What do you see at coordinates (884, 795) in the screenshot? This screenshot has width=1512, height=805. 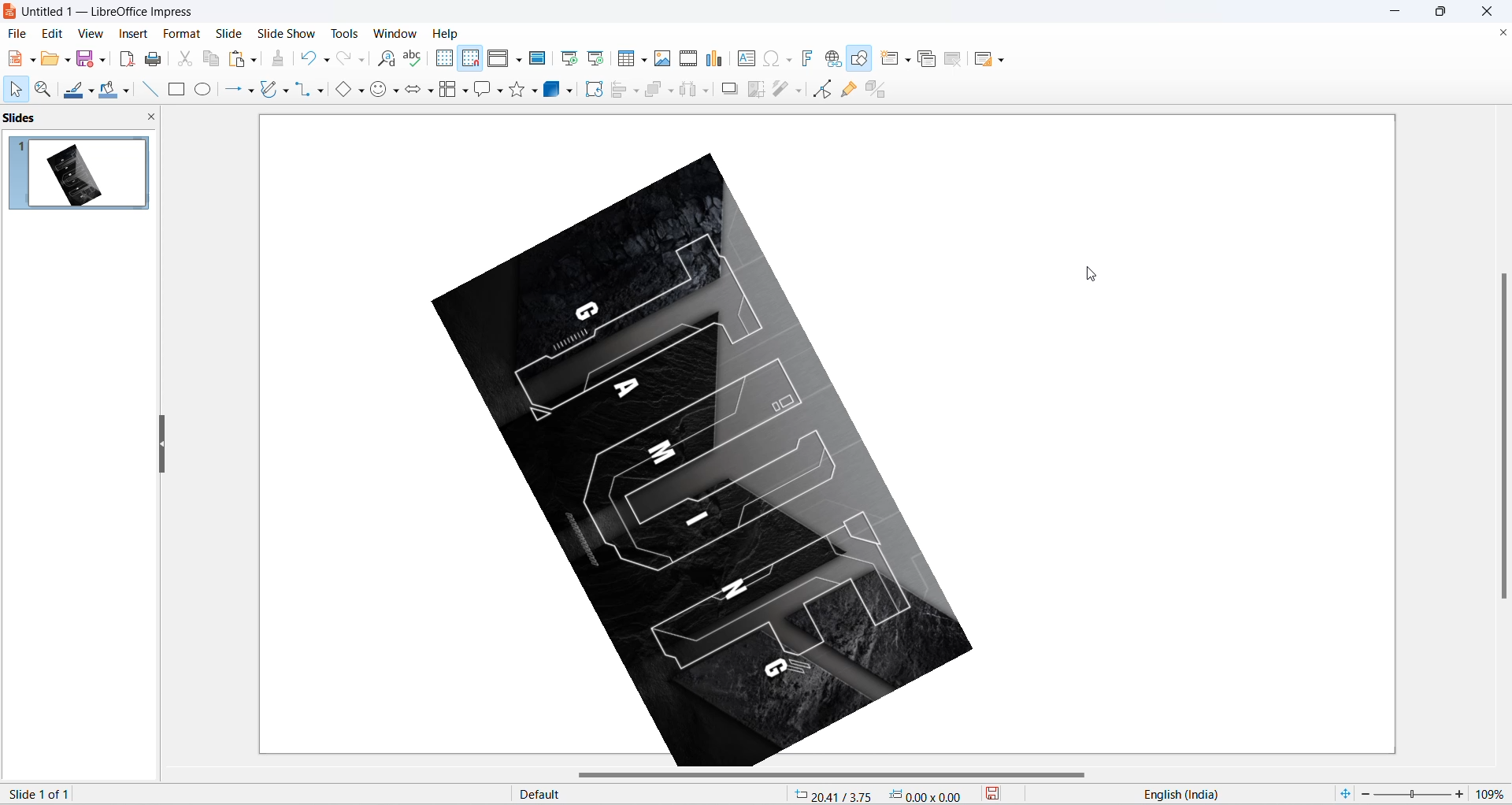 I see `cursor and selection coordinates` at bounding box center [884, 795].